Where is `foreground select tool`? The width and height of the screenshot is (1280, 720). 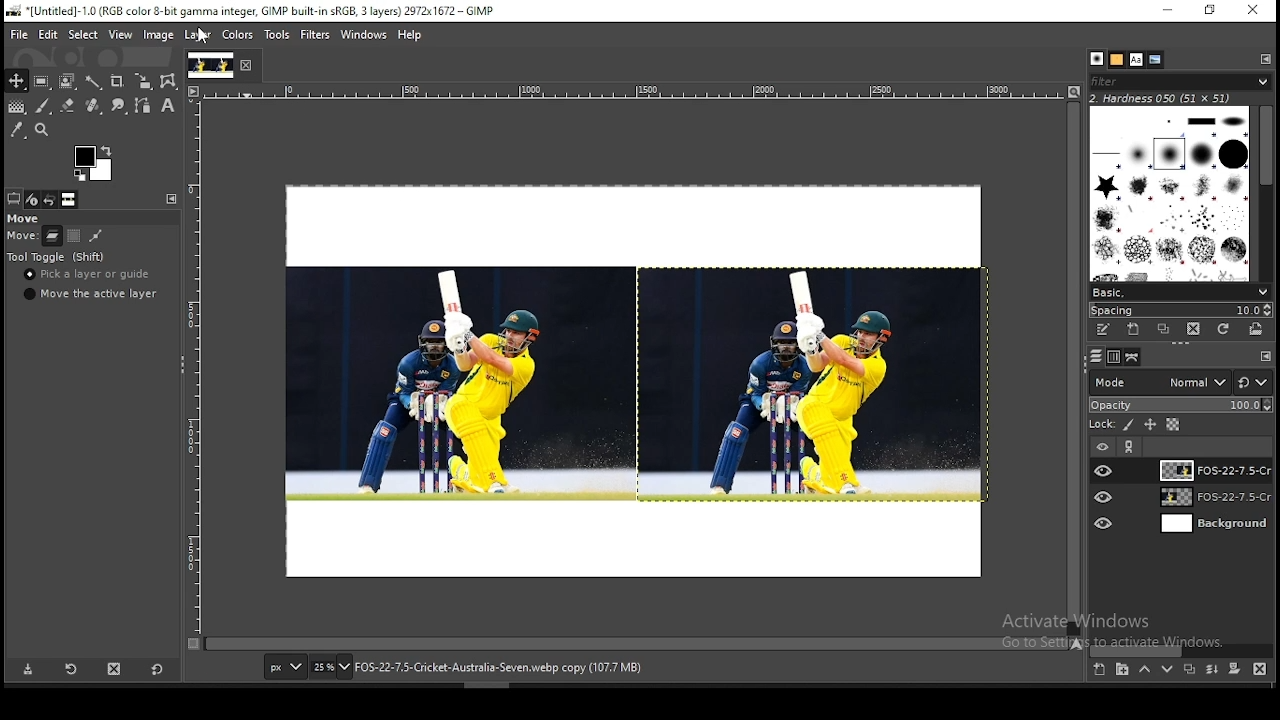 foreground select tool is located at coordinates (68, 79).